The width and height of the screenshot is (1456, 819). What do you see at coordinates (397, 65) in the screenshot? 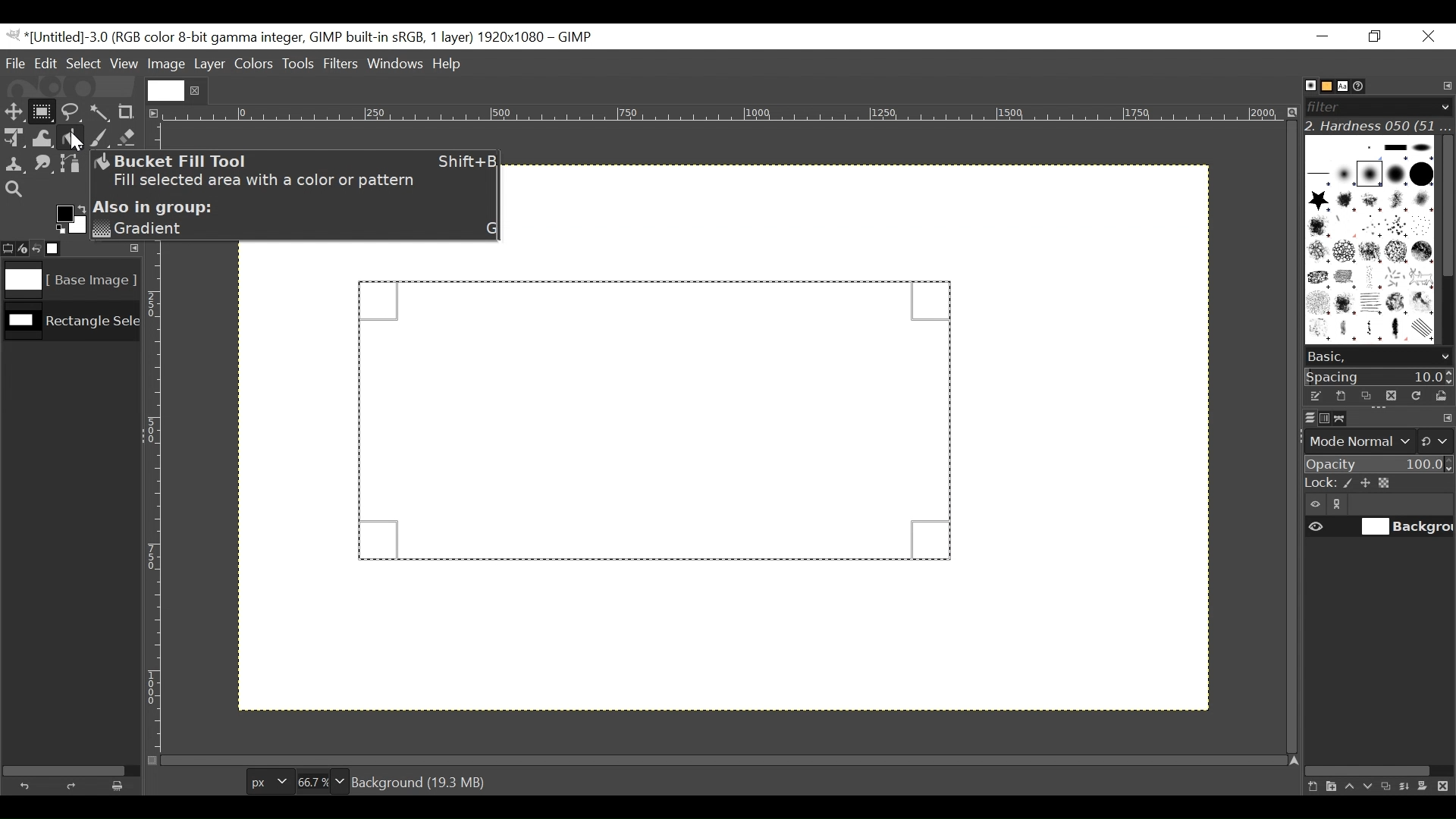
I see `Windows` at bounding box center [397, 65].